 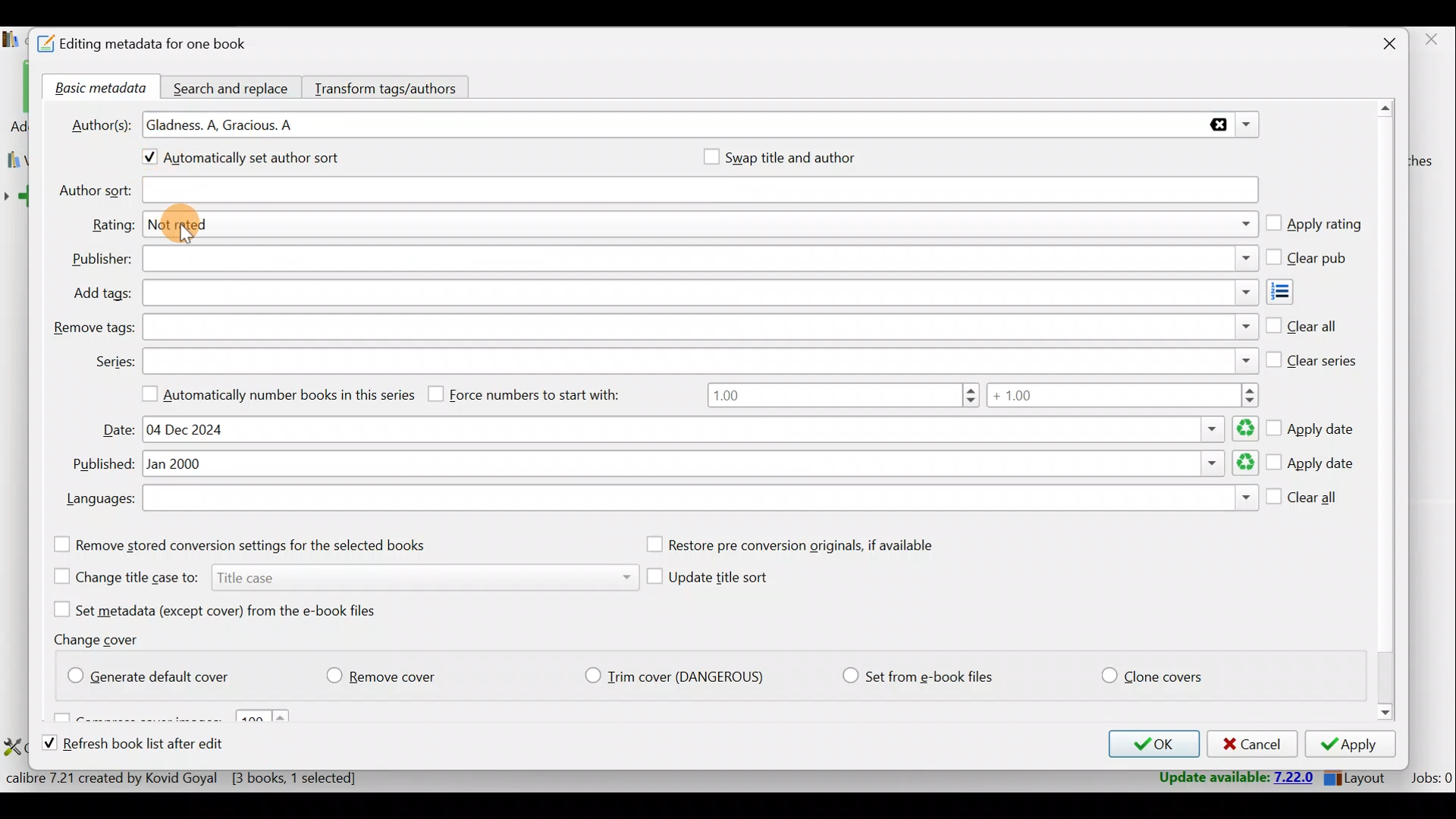 What do you see at coordinates (699, 260) in the screenshot?
I see `Publisher` at bounding box center [699, 260].